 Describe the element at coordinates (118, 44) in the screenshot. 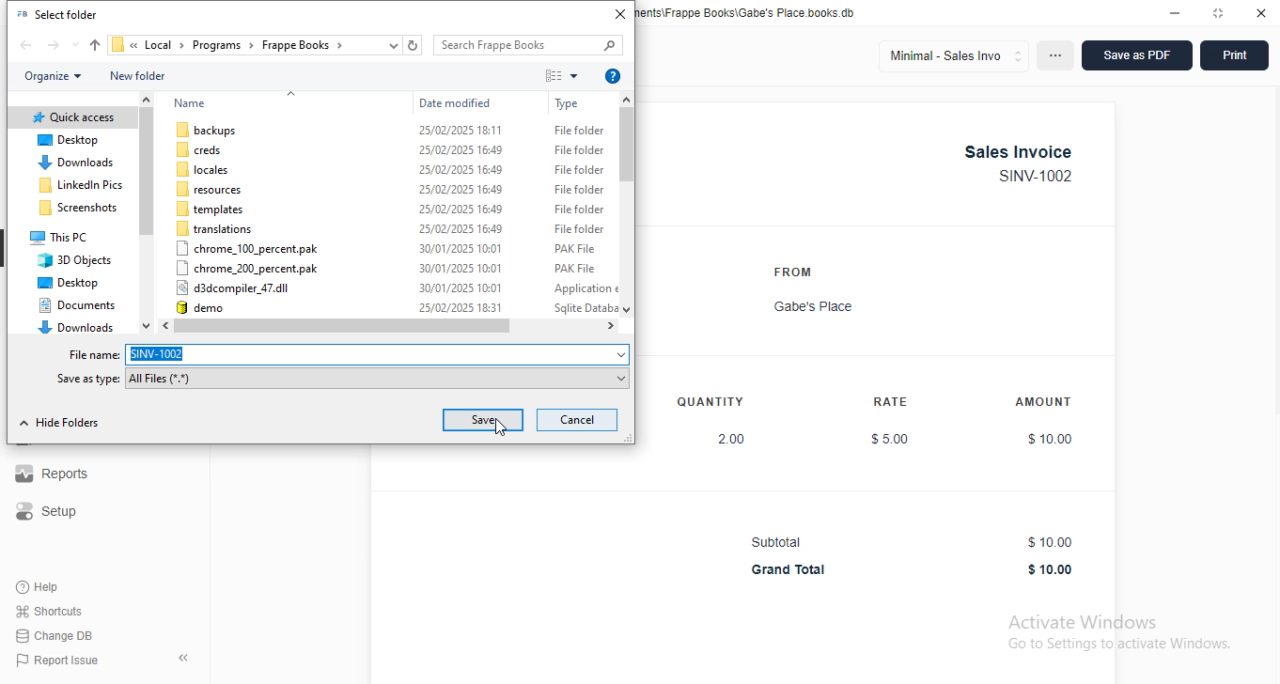

I see `file icon` at that location.